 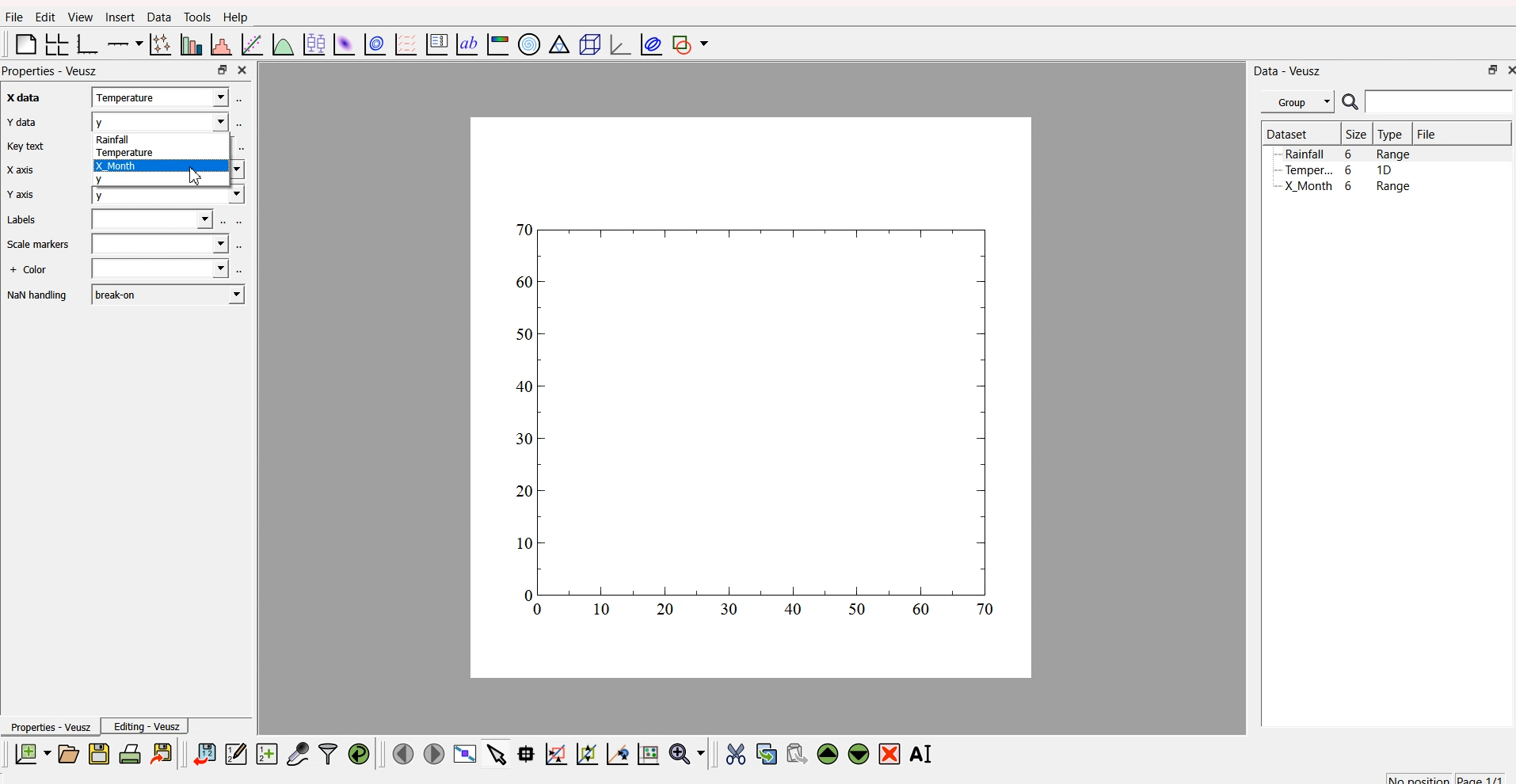 What do you see at coordinates (1488, 72) in the screenshot?
I see `maximize` at bounding box center [1488, 72].